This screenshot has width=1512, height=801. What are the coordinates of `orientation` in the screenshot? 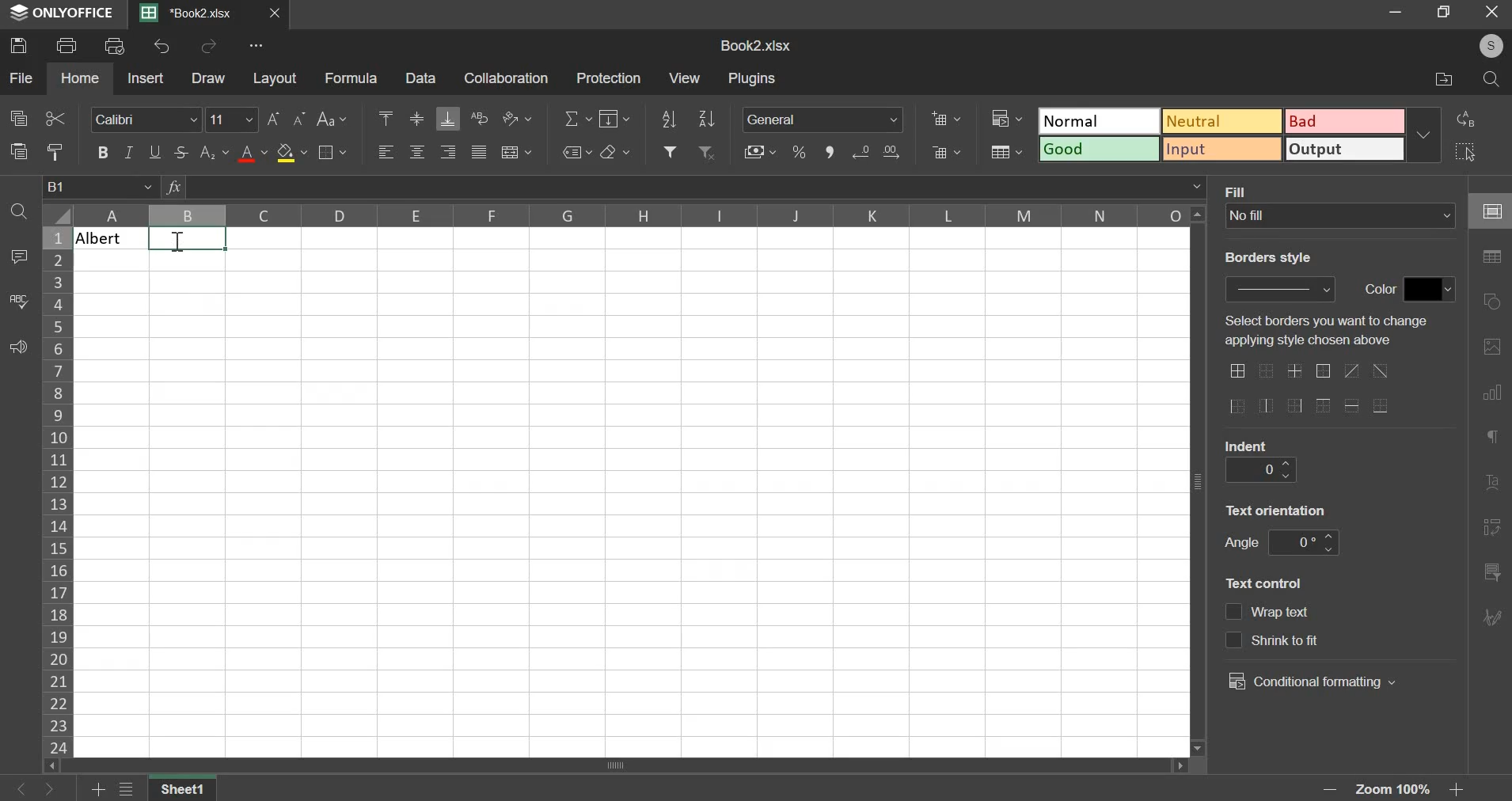 It's located at (515, 117).